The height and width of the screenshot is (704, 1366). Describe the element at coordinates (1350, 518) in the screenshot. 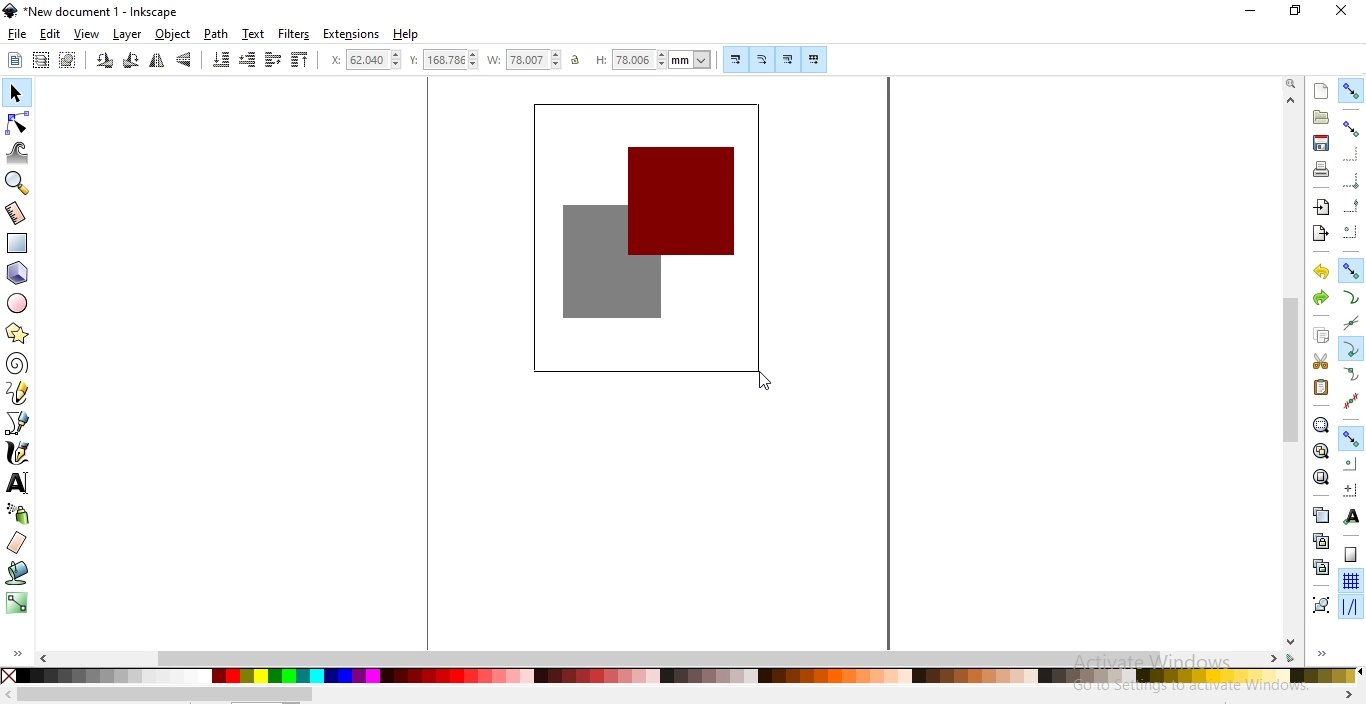

I see `snap text anchors and baselines` at that location.